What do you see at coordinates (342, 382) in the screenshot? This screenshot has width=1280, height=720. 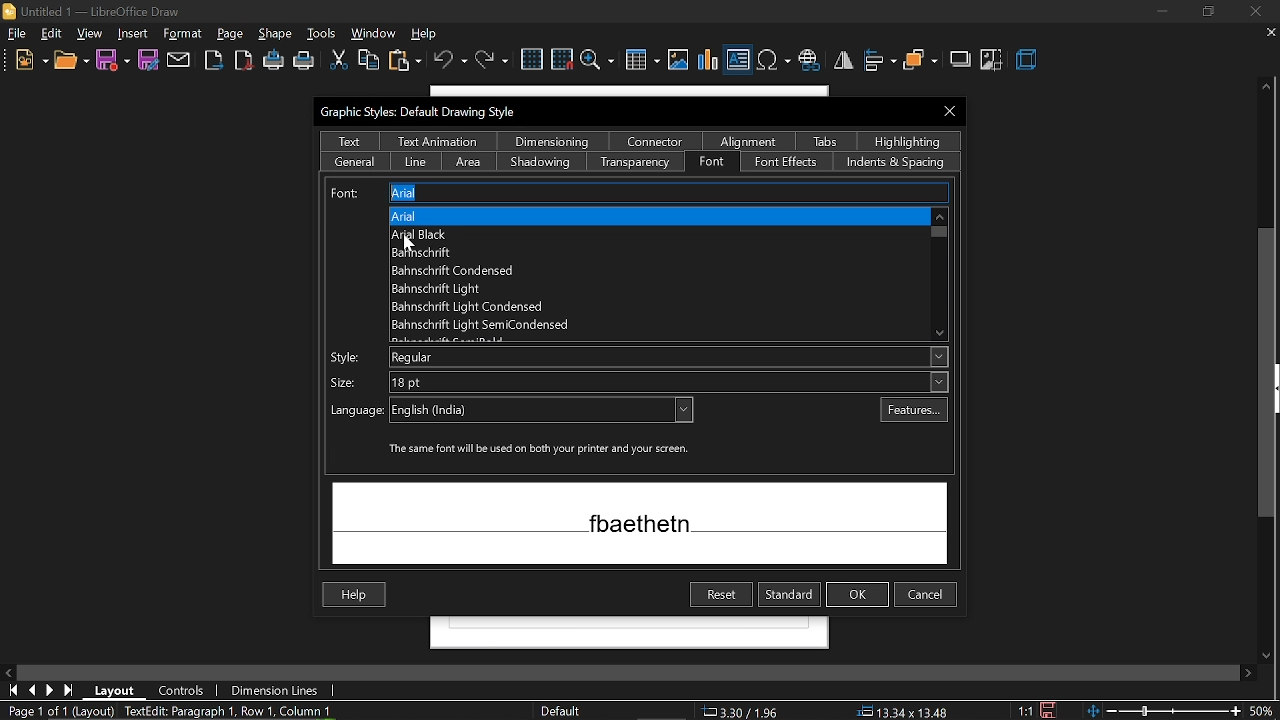 I see `size` at bounding box center [342, 382].